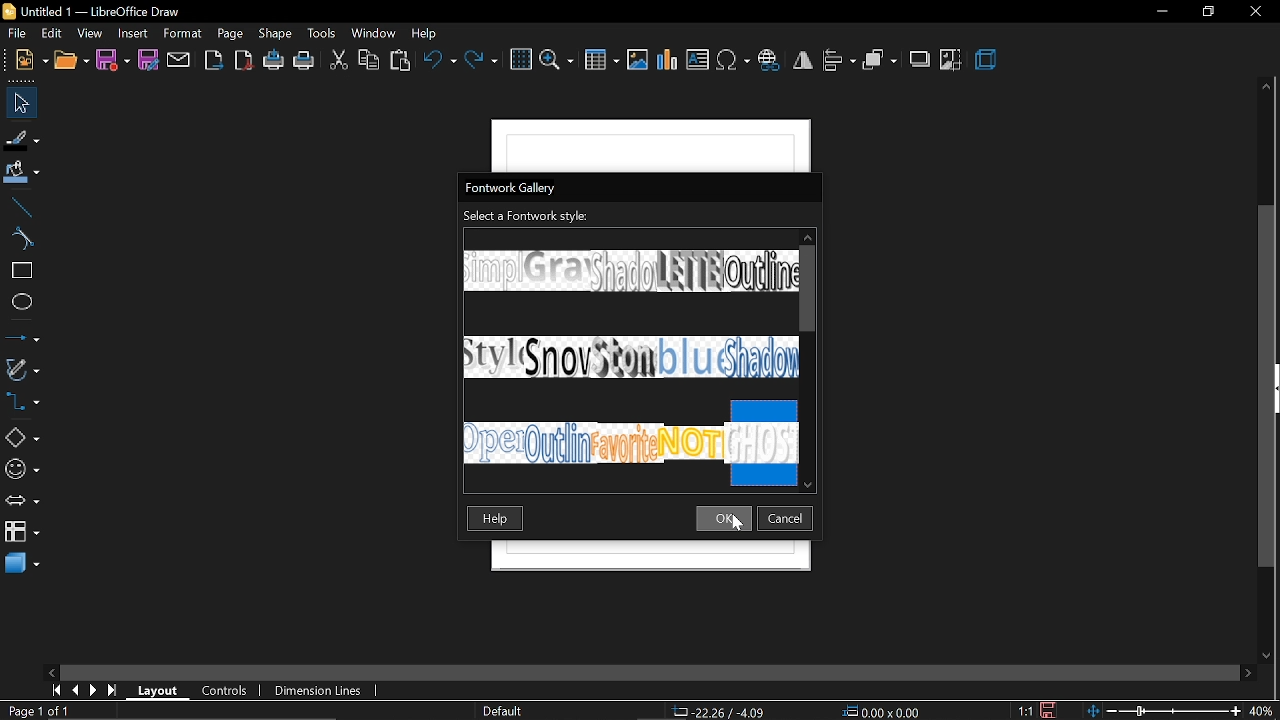 The image size is (1280, 720). Describe the element at coordinates (809, 287) in the screenshot. I see `vertical scrollbar` at that location.